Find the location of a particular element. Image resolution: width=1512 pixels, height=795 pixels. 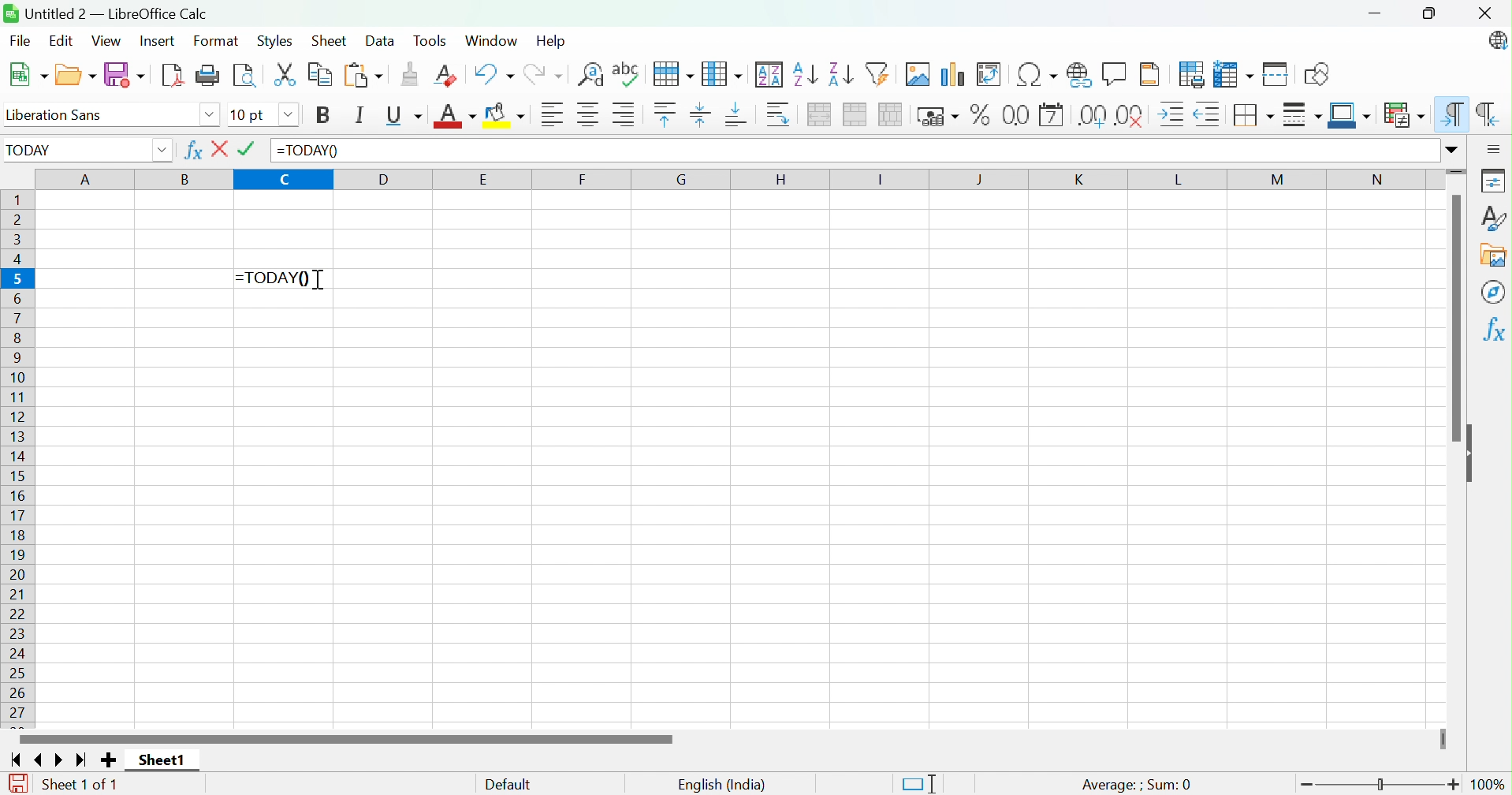

Slider is located at coordinates (1441, 738).